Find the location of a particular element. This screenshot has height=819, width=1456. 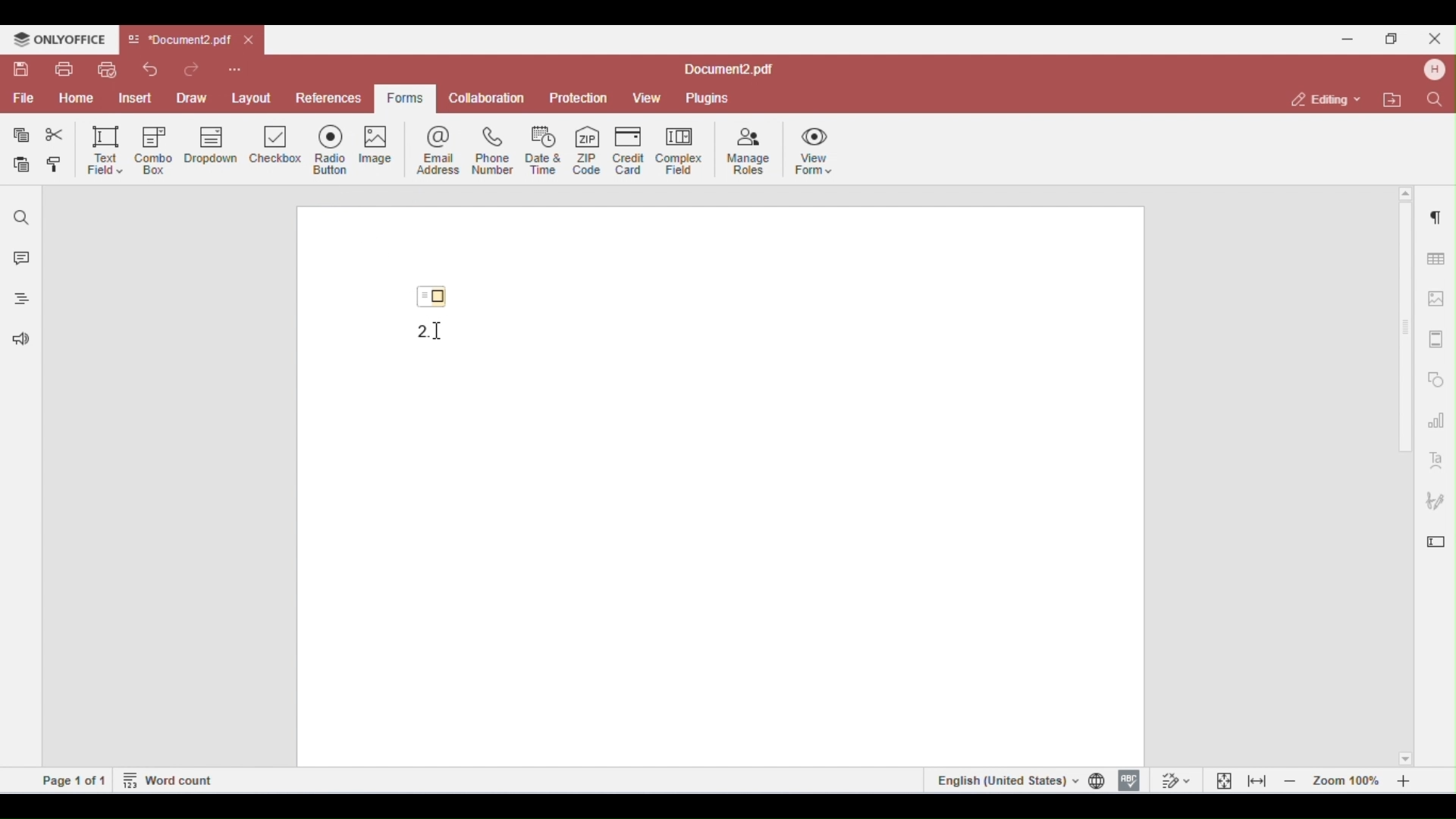

table settings is located at coordinates (1434, 256).